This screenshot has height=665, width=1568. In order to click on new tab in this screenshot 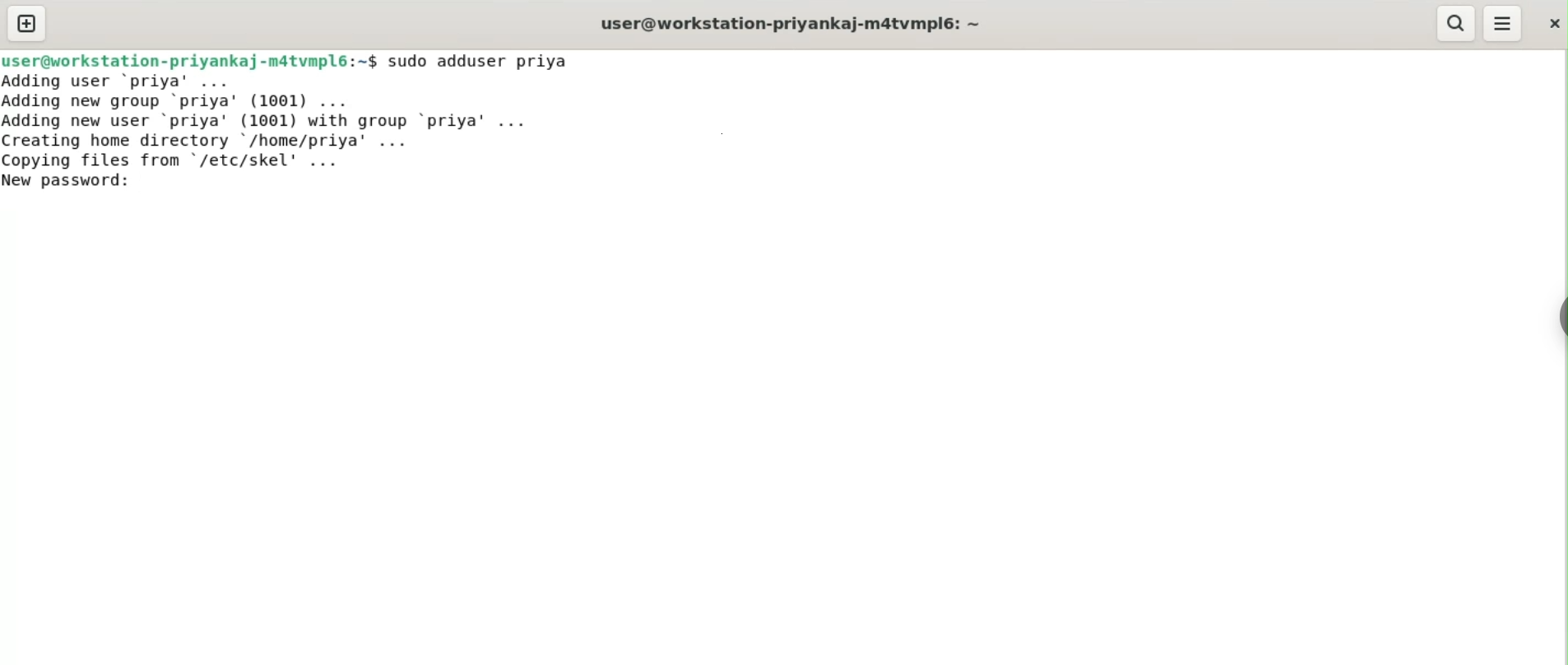, I will do `click(26, 23)`.